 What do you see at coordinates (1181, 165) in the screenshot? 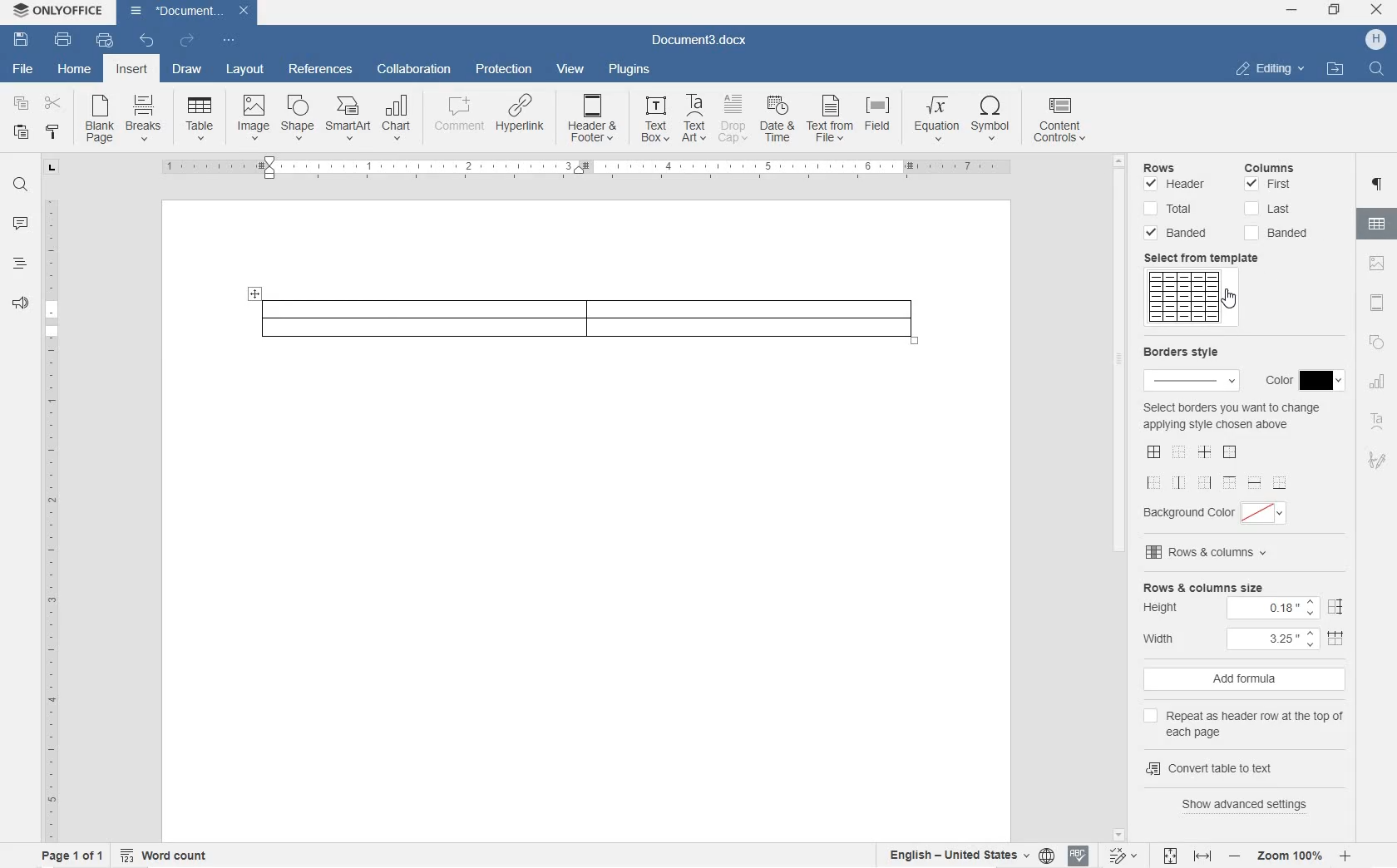
I see `Rows` at bounding box center [1181, 165].